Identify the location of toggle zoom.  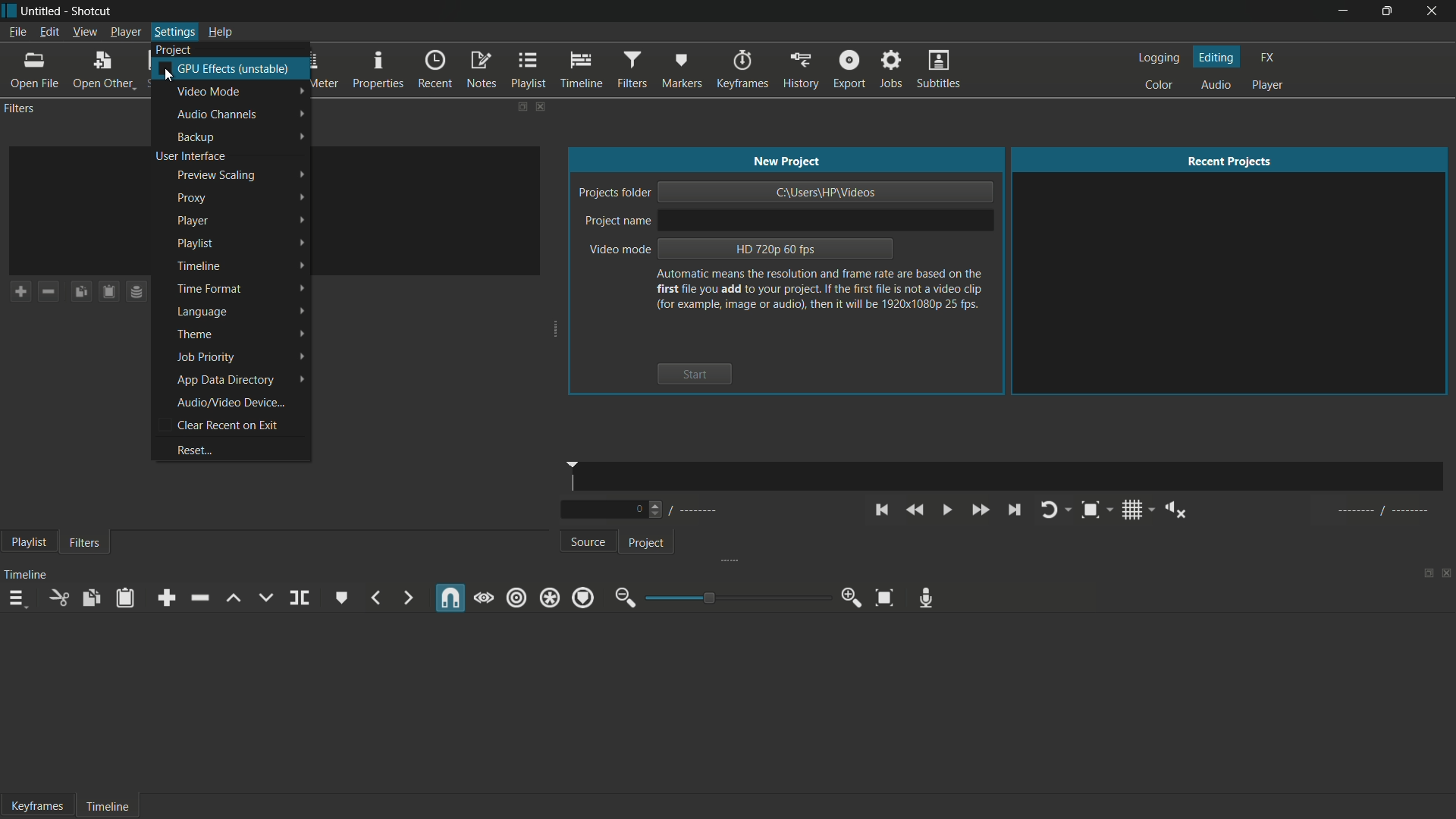
(1090, 510).